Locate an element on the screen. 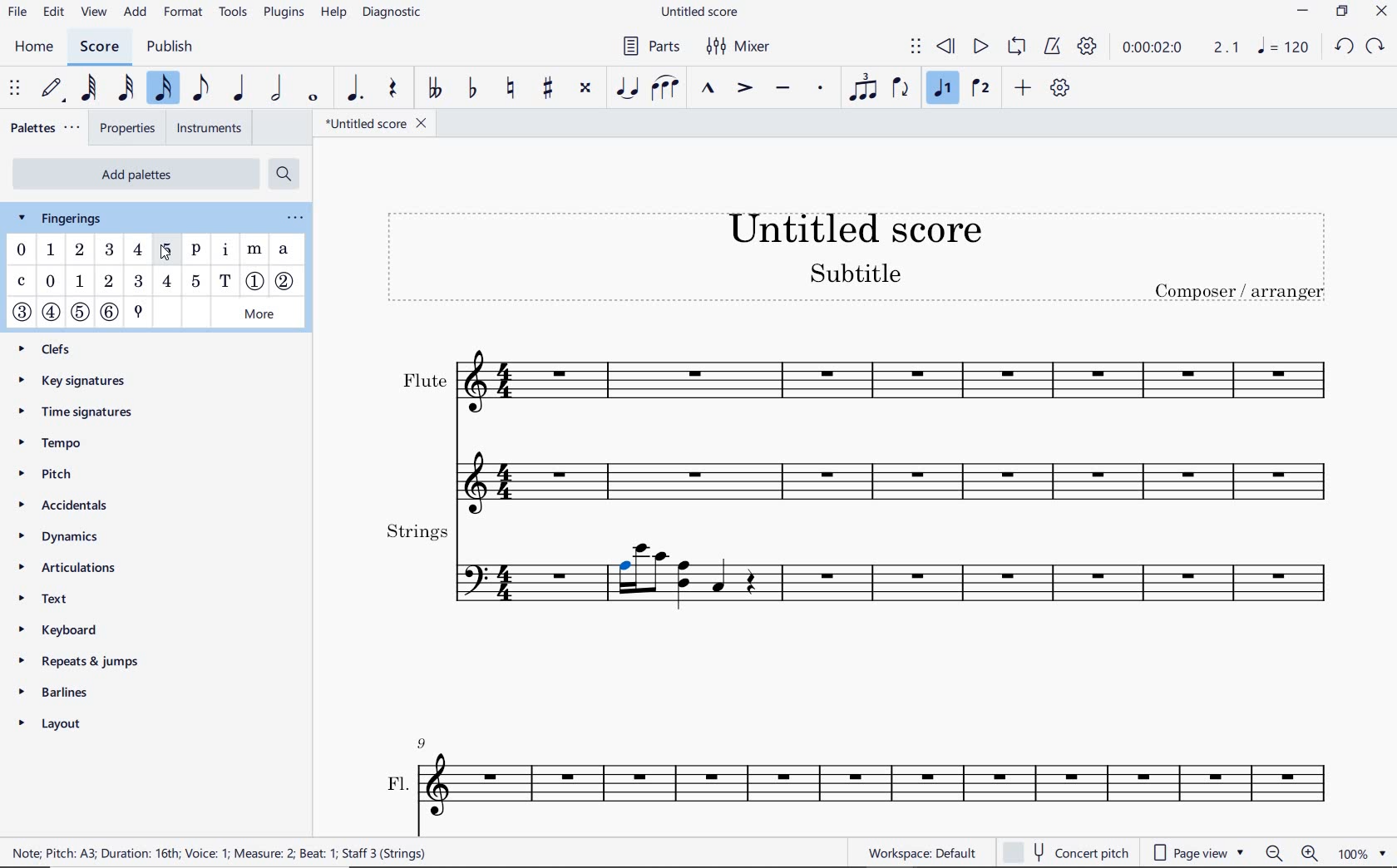 The width and height of the screenshot is (1397, 868). LH GUITAR FINGERING 1 is located at coordinates (79, 281).